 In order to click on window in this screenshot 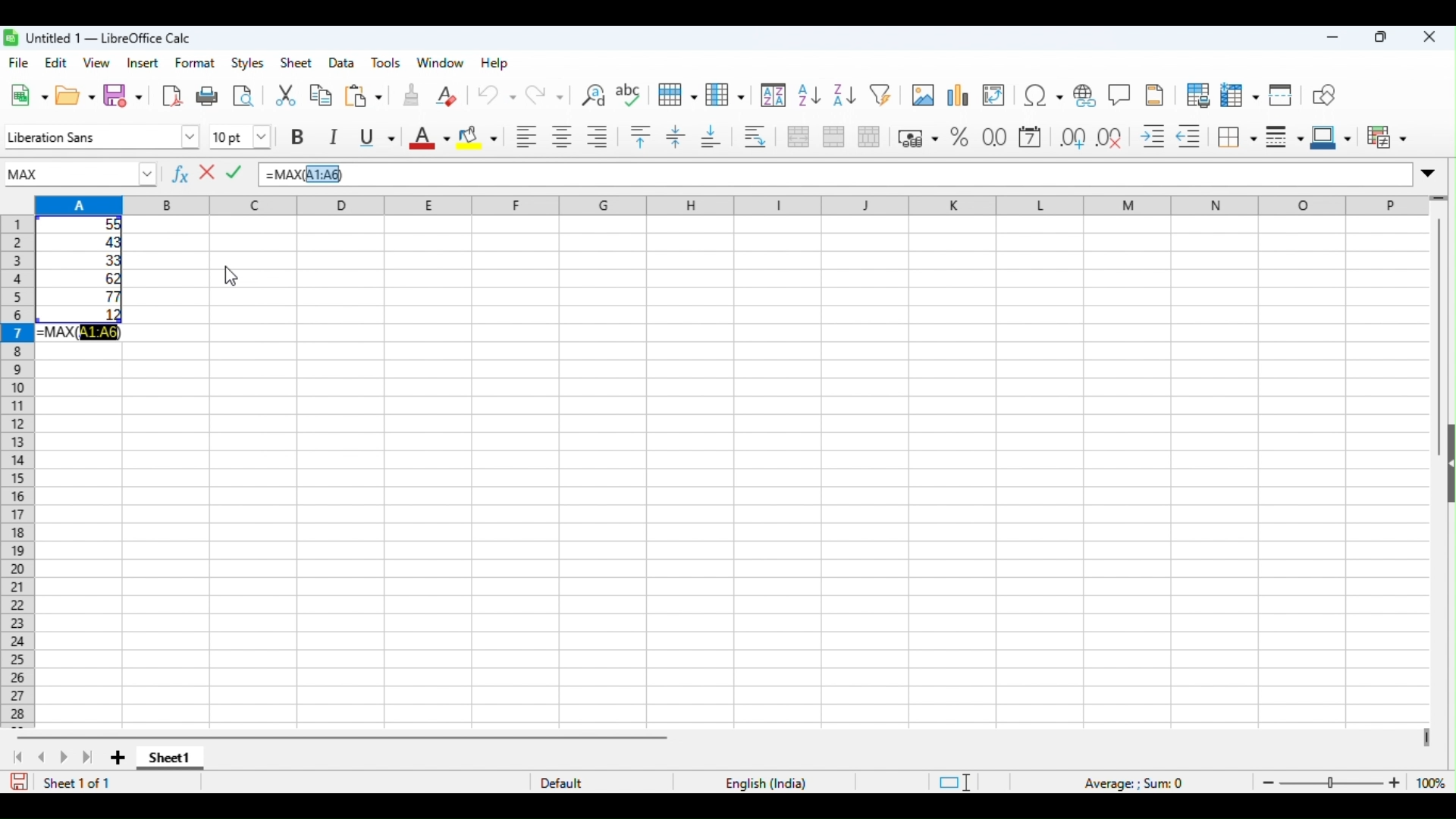, I will do `click(440, 62)`.